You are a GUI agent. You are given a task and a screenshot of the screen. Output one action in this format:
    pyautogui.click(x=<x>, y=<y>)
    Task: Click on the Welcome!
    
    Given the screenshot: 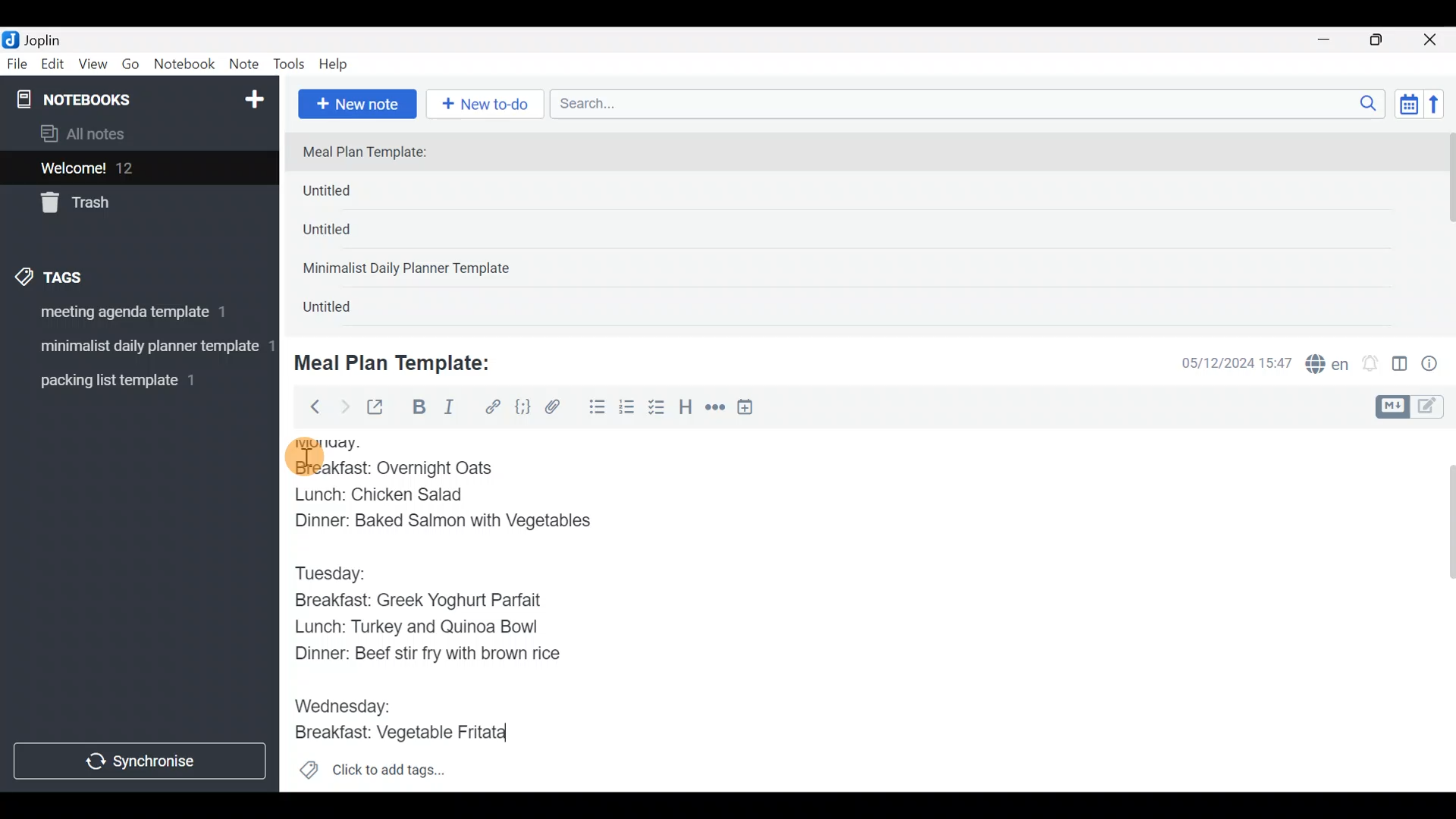 What is the action you would take?
    pyautogui.click(x=137, y=169)
    